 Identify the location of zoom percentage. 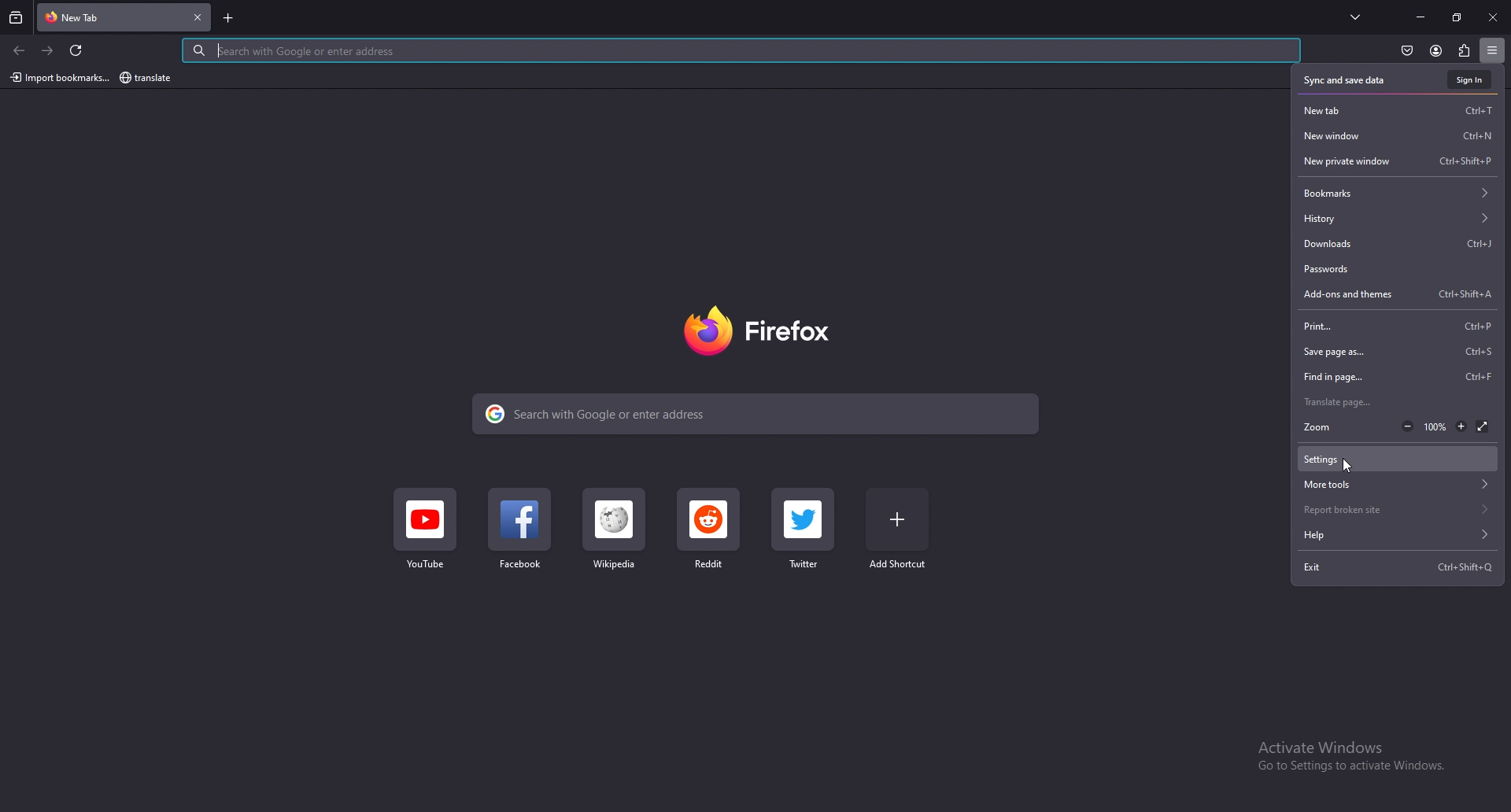
(1436, 427).